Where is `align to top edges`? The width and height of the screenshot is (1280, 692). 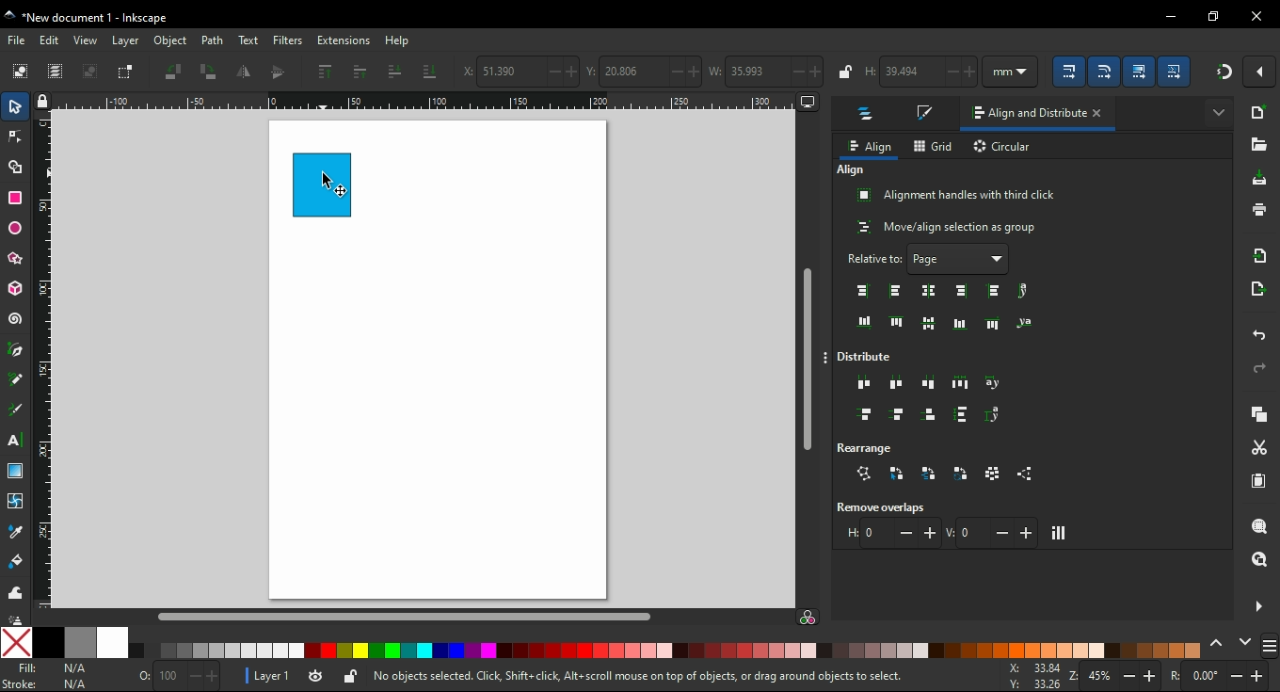
align to top edges is located at coordinates (897, 321).